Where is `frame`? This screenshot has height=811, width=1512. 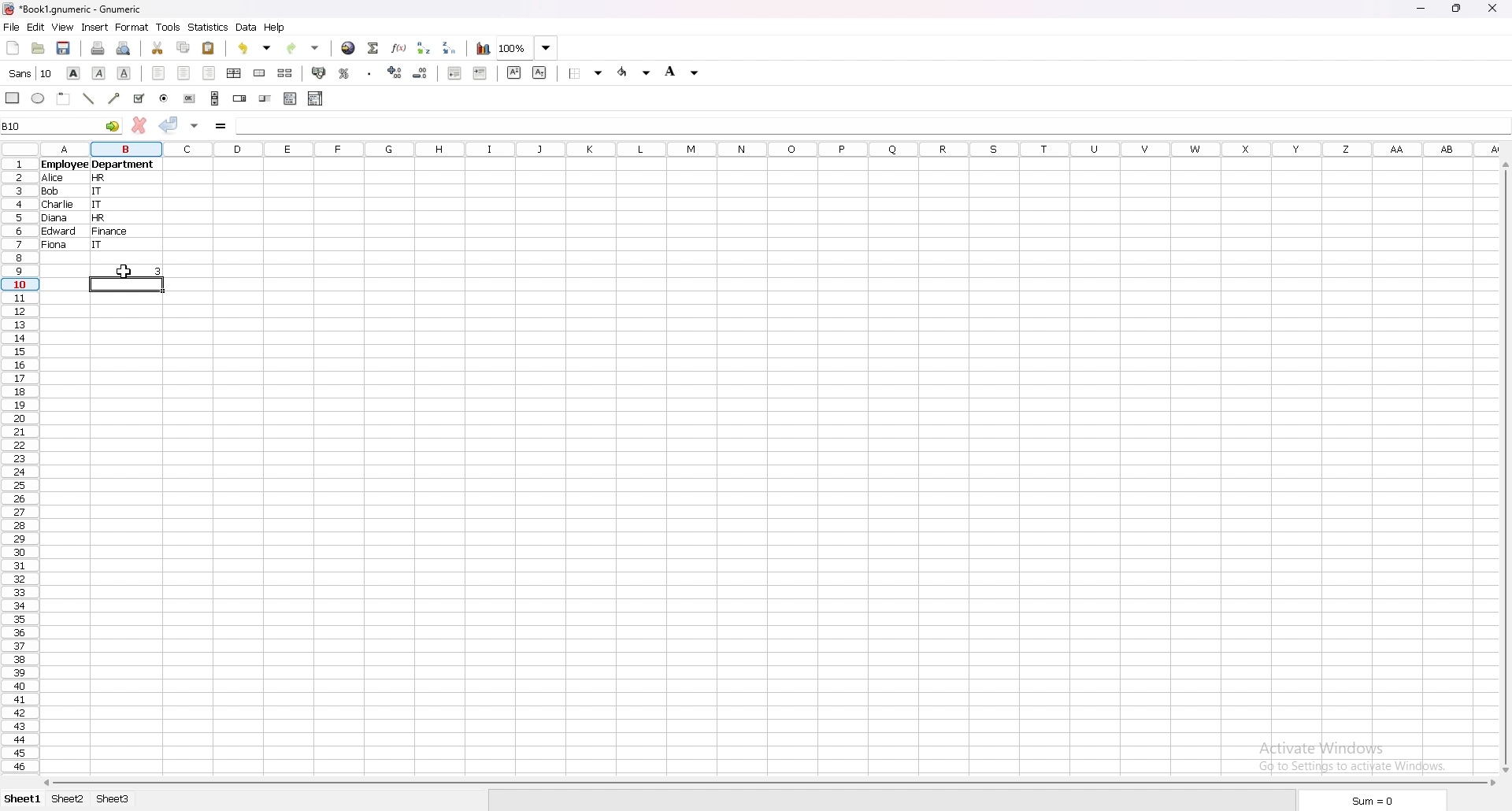 frame is located at coordinates (63, 98).